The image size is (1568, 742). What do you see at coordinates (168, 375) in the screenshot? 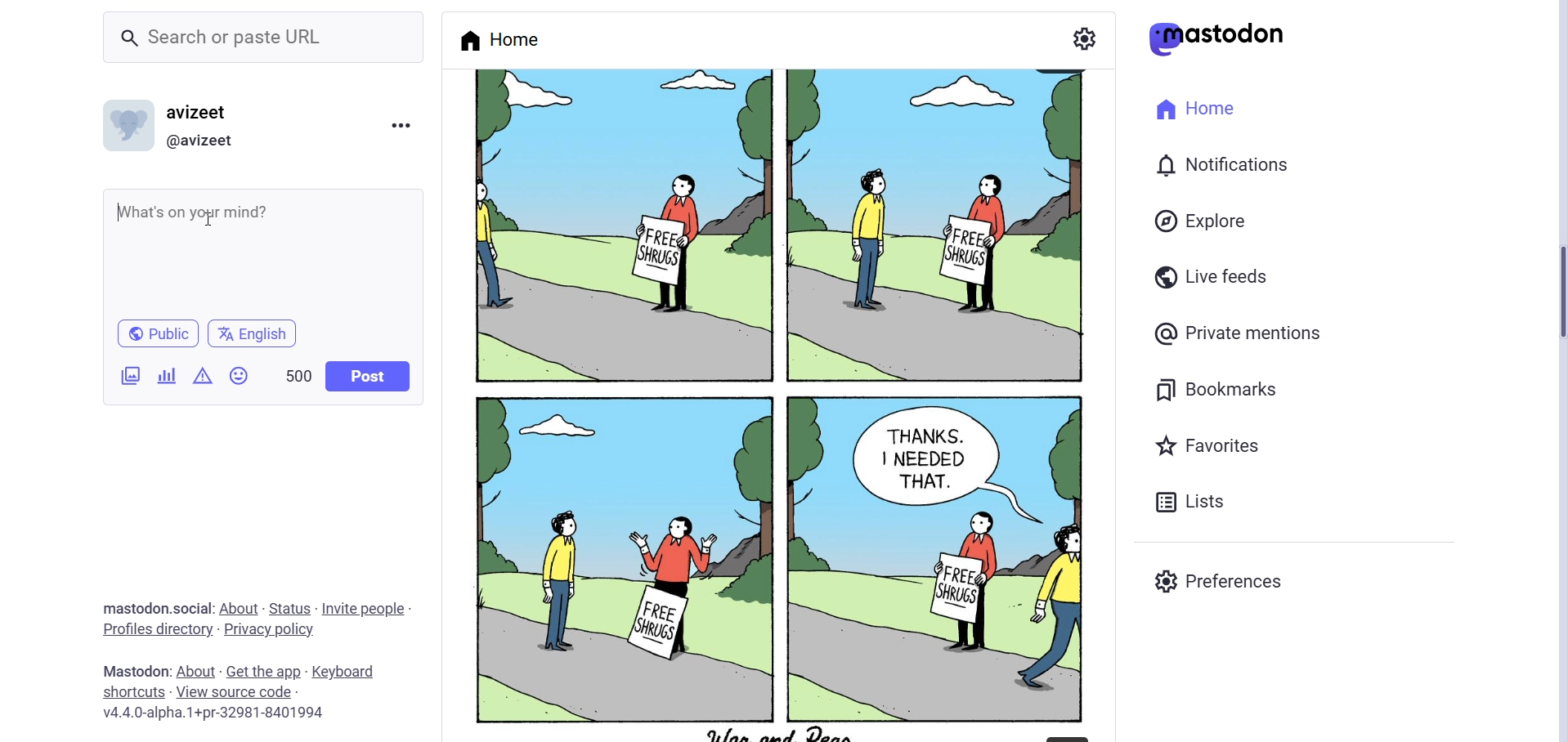
I see `Poll` at bounding box center [168, 375].